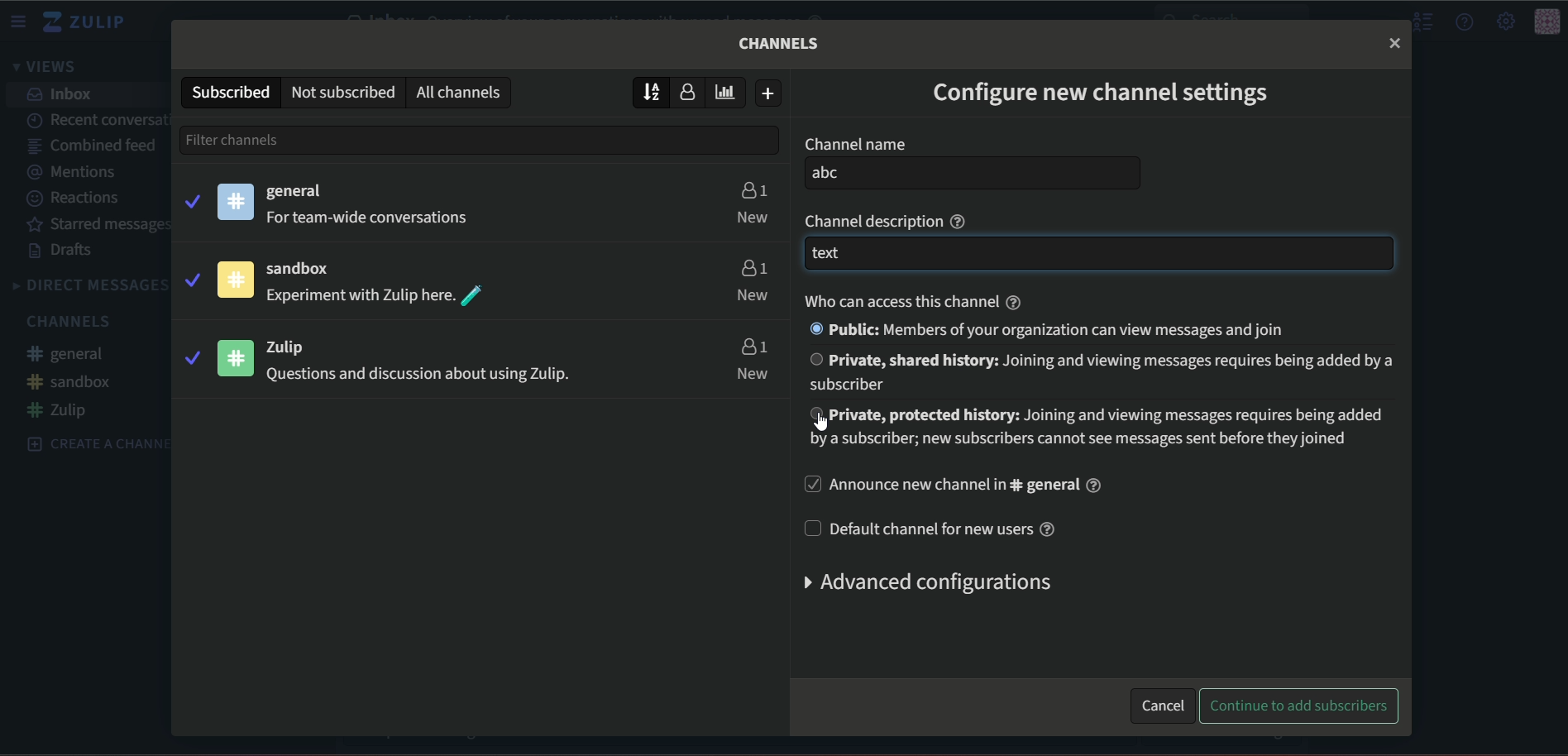 The width and height of the screenshot is (1568, 756). I want to click on  Private, shared history: Joining and viewing messages requires being added by asubscriber, so click(1095, 372).